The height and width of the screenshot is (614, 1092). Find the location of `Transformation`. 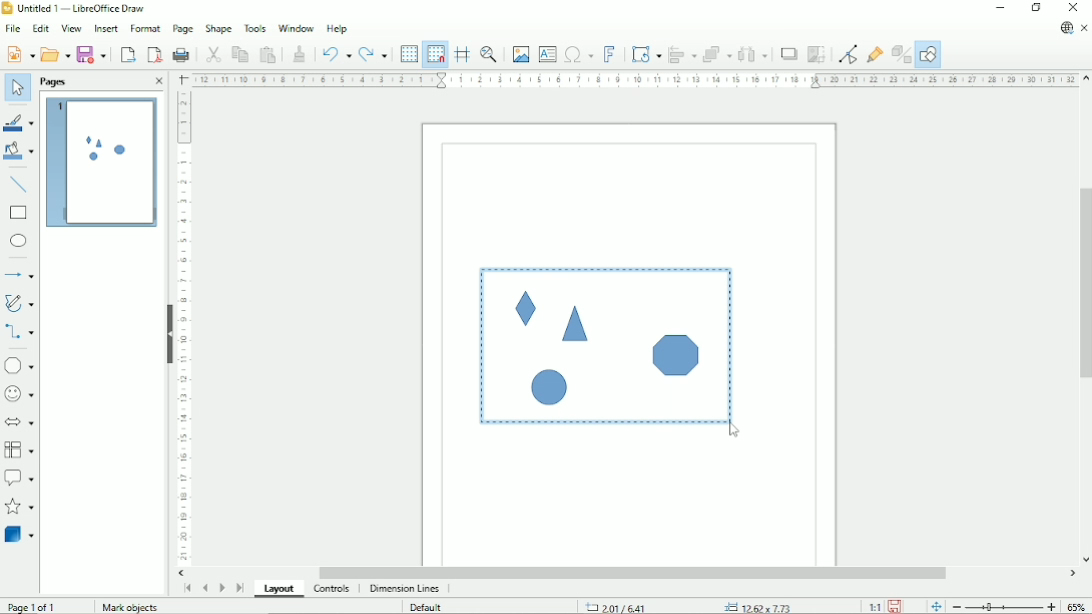

Transformation is located at coordinates (646, 54).